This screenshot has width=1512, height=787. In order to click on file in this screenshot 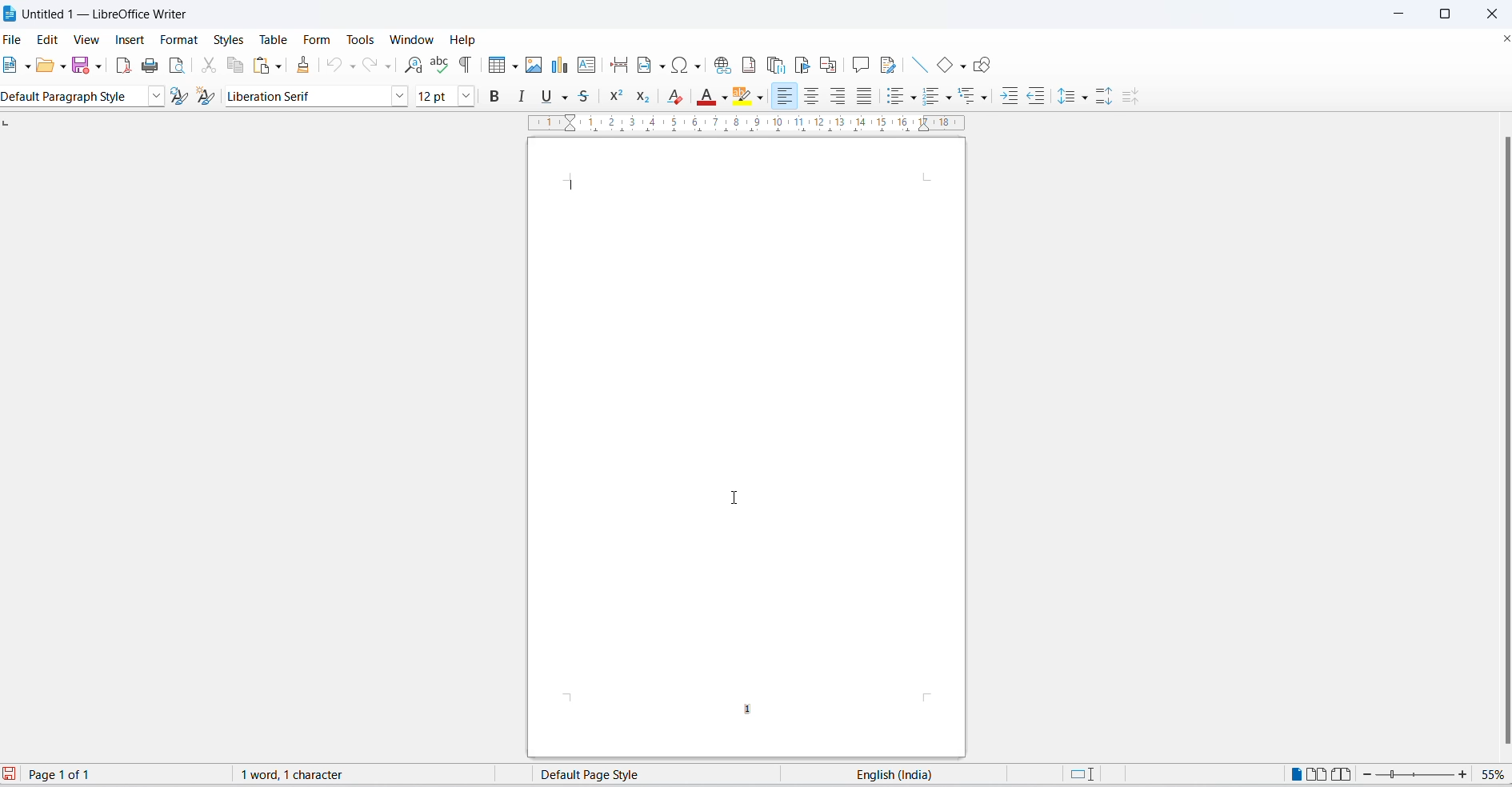, I will do `click(14, 38)`.